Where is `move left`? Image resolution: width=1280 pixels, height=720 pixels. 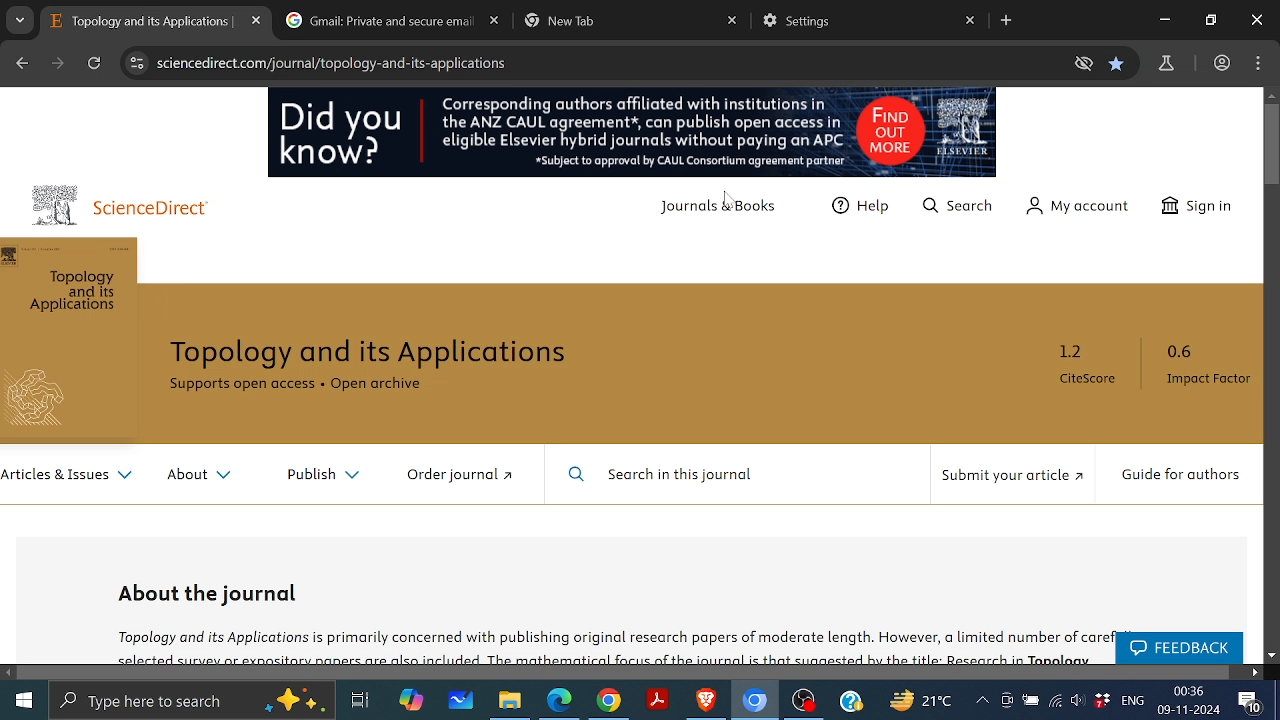
move left is located at coordinates (8, 672).